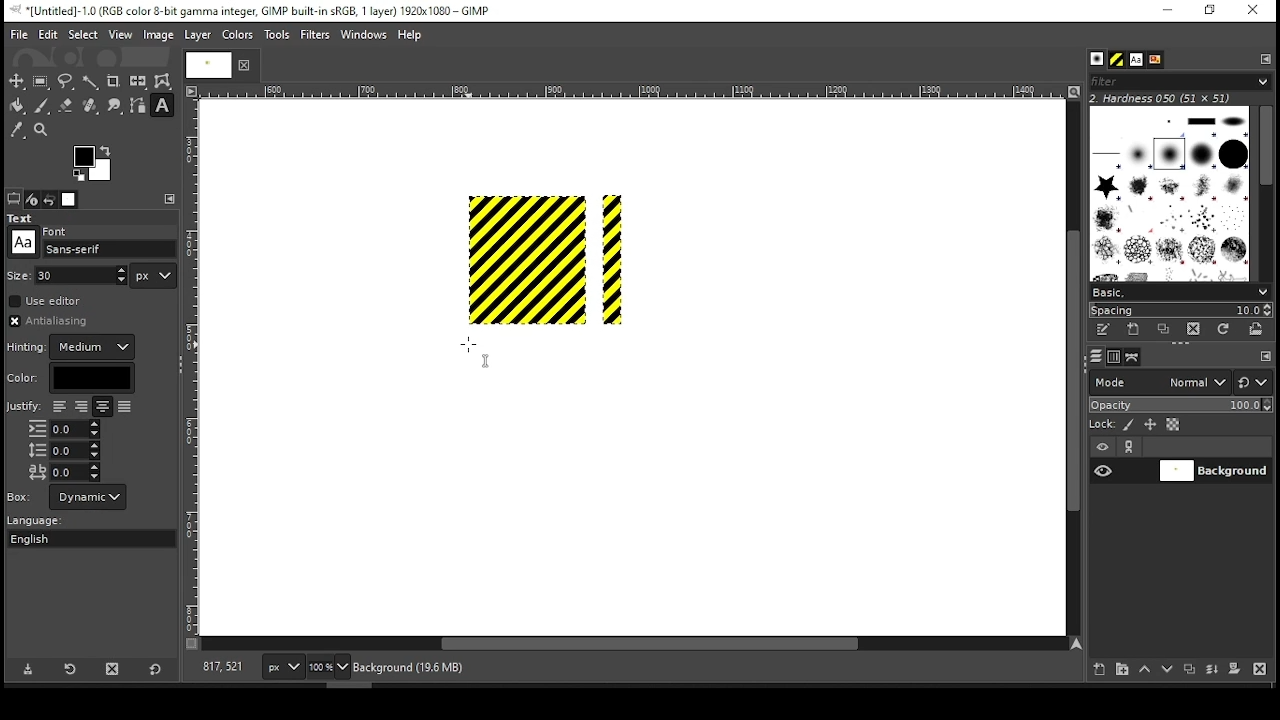  I want to click on scroll bar, so click(1071, 367).